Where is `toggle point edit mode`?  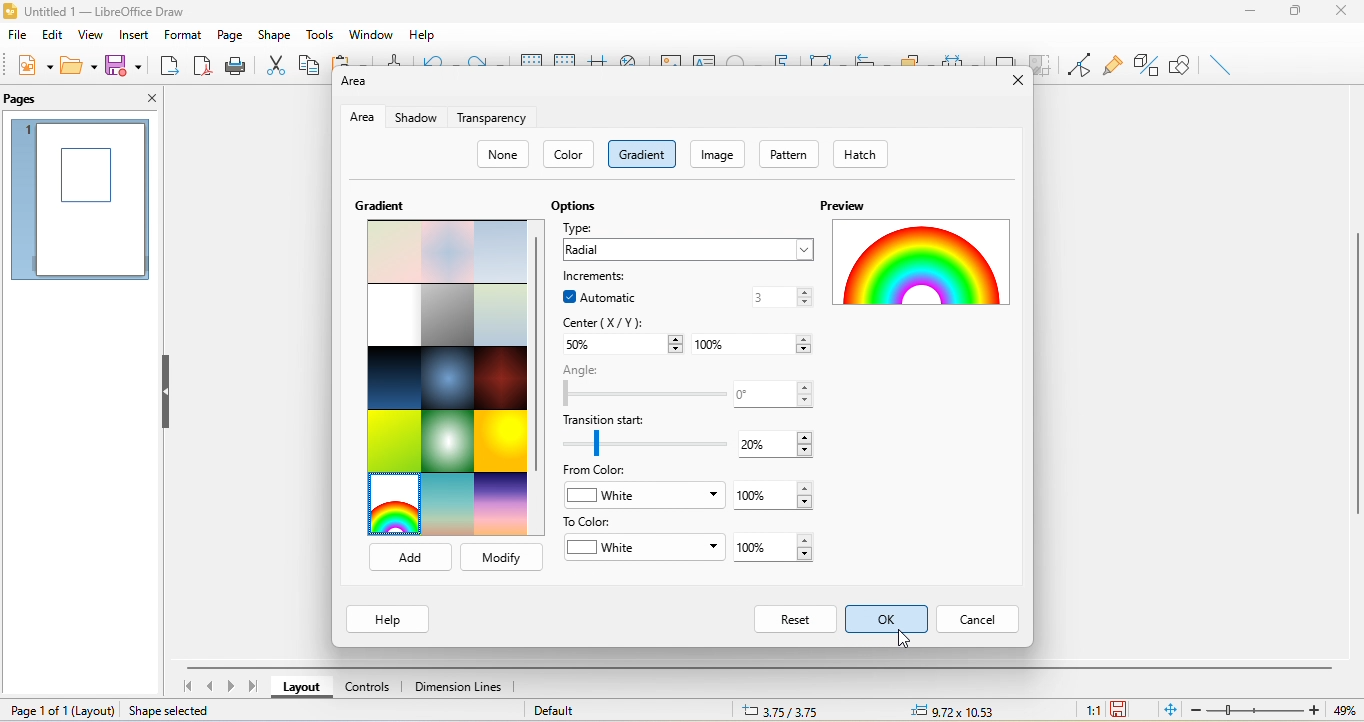
toggle point edit mode is located at coordinates (1080, 64).